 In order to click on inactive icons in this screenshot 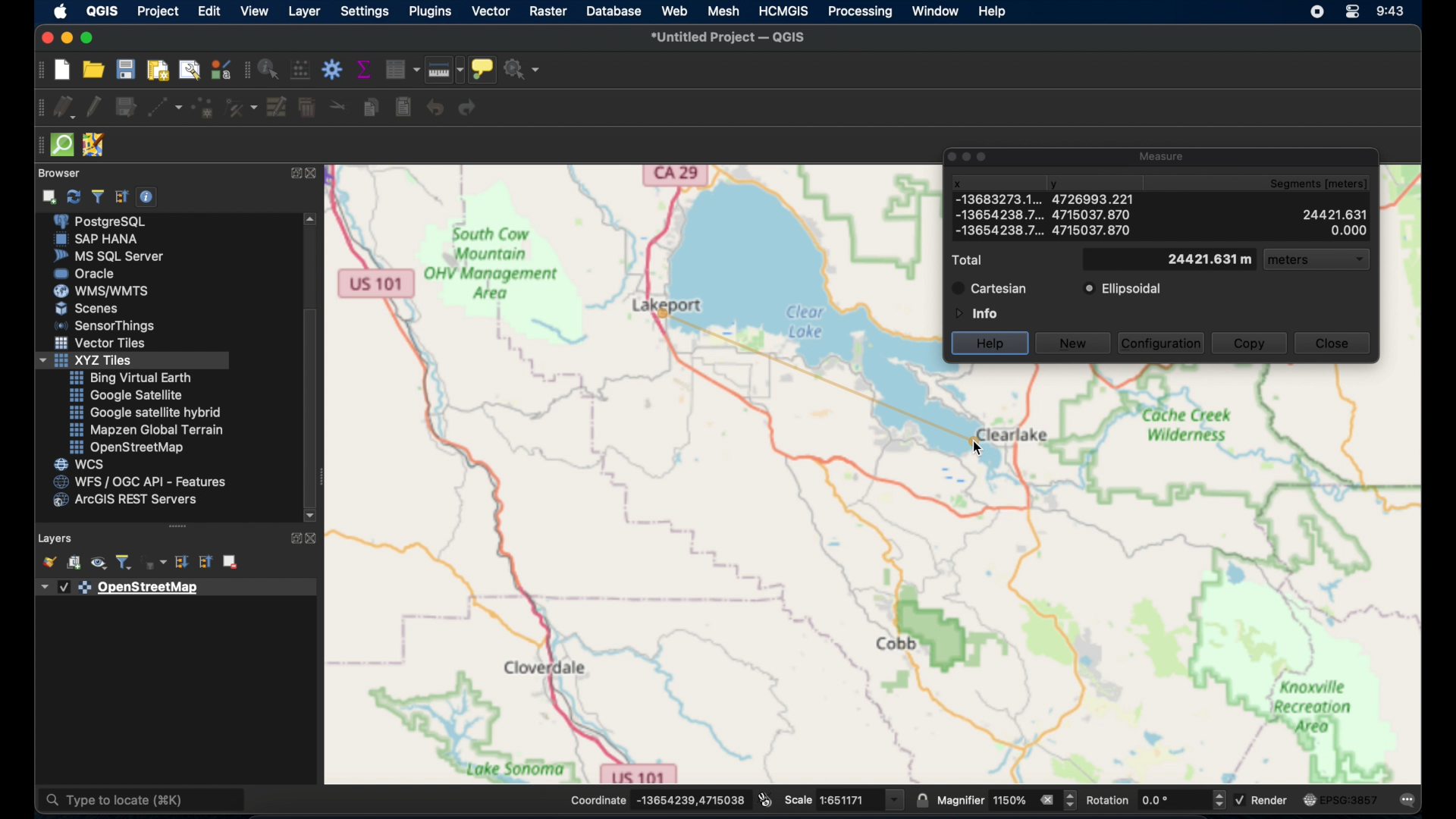, I will do `click(968, 156)`.